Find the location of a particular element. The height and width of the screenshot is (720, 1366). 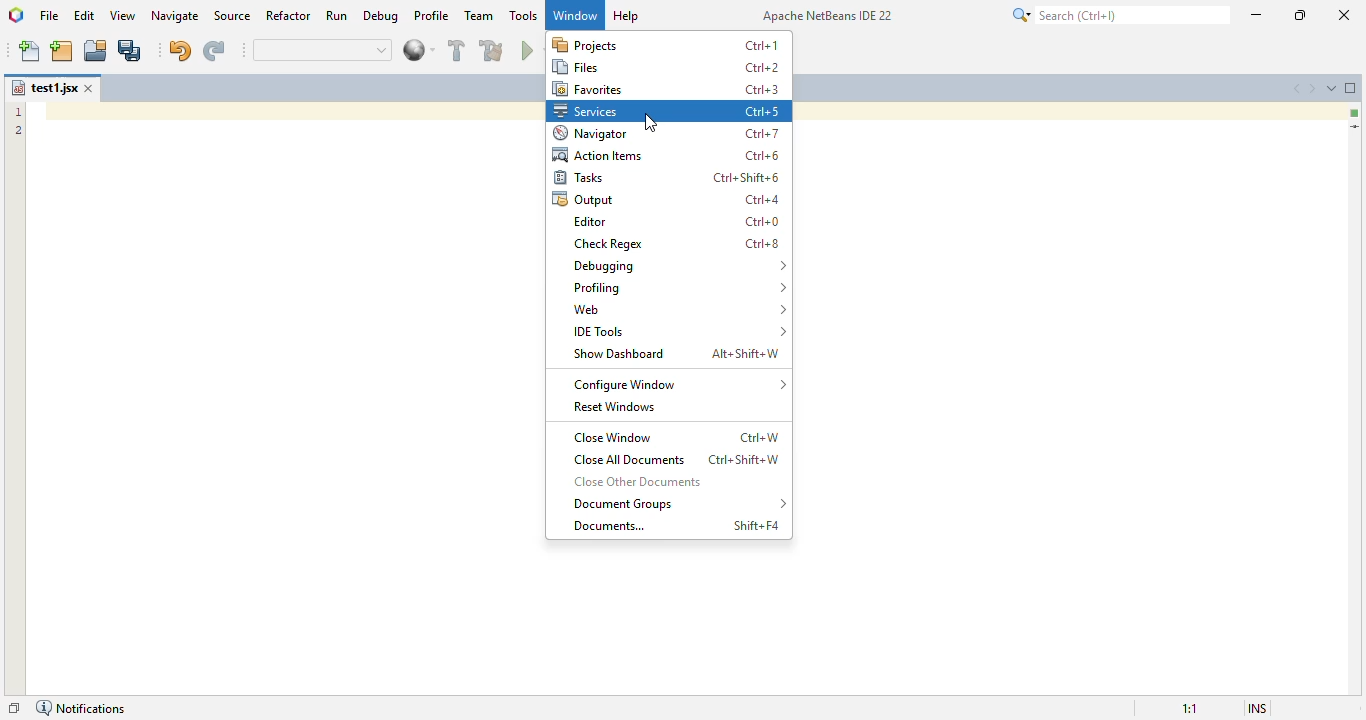

check regex is located at coordinates (610, 244).